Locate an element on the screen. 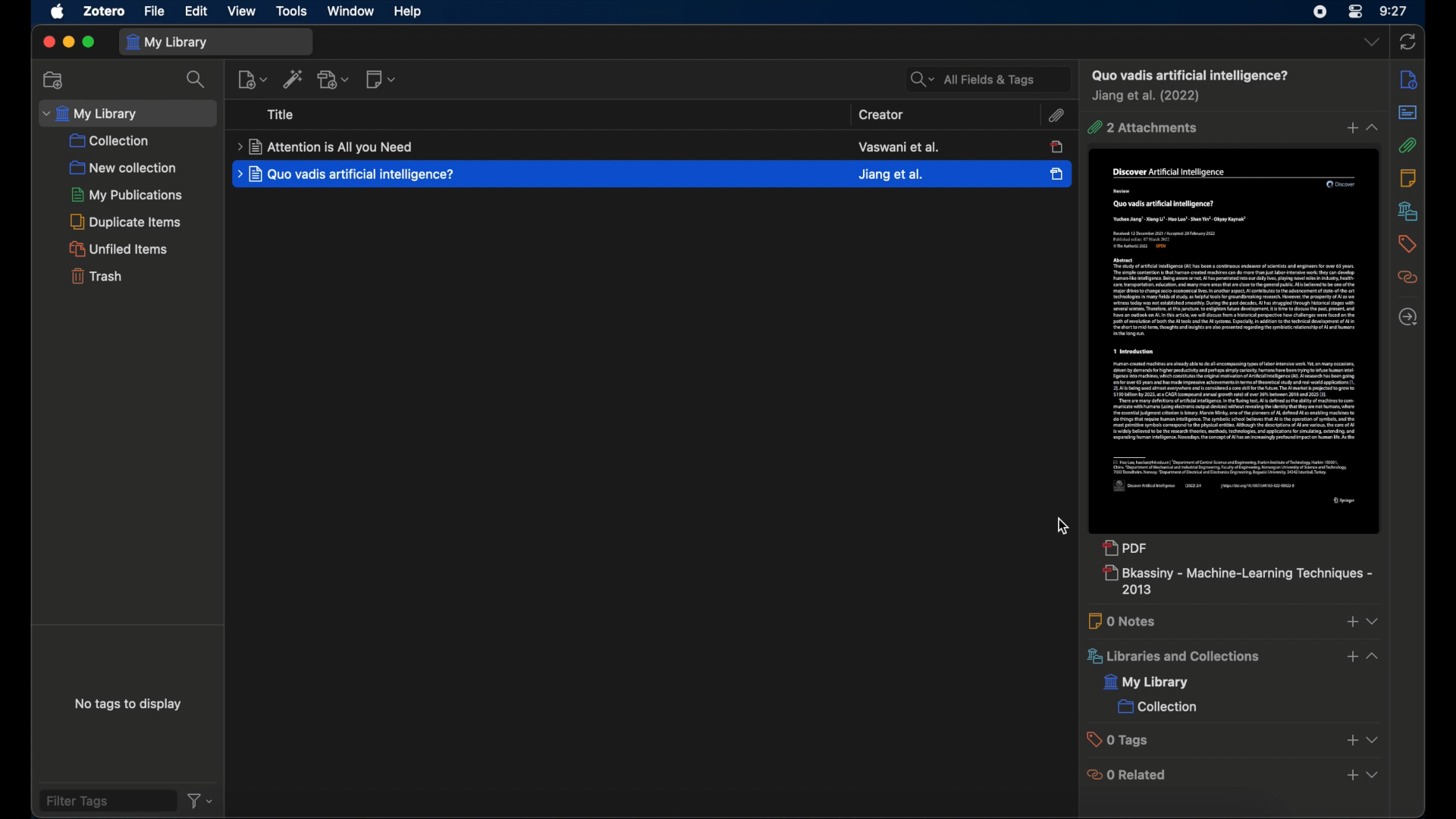 This screenshot has height=819, width=1456. new note is located at coordinates (382, 80).